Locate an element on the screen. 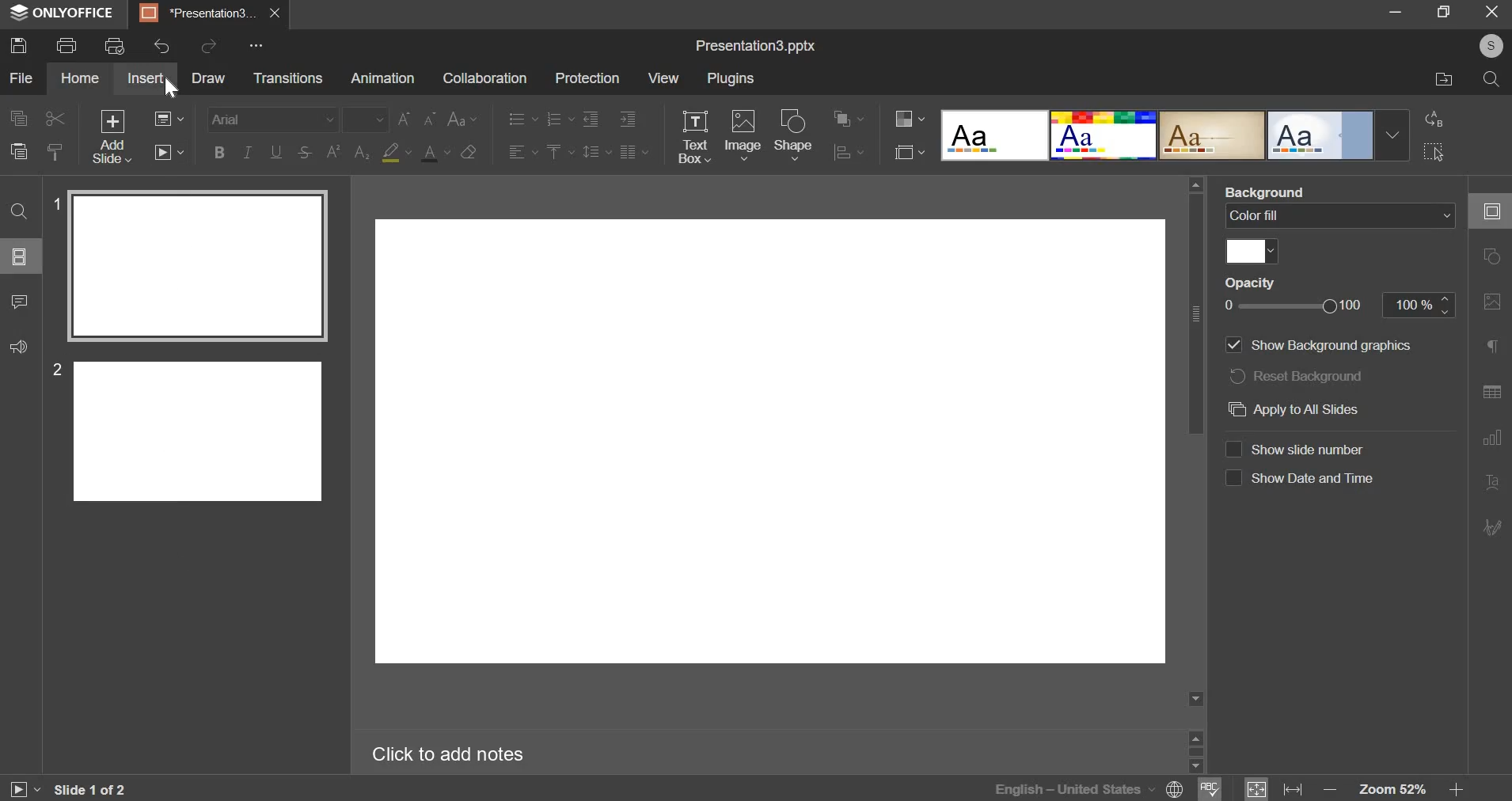  blank is located at coordinates (994, 135).